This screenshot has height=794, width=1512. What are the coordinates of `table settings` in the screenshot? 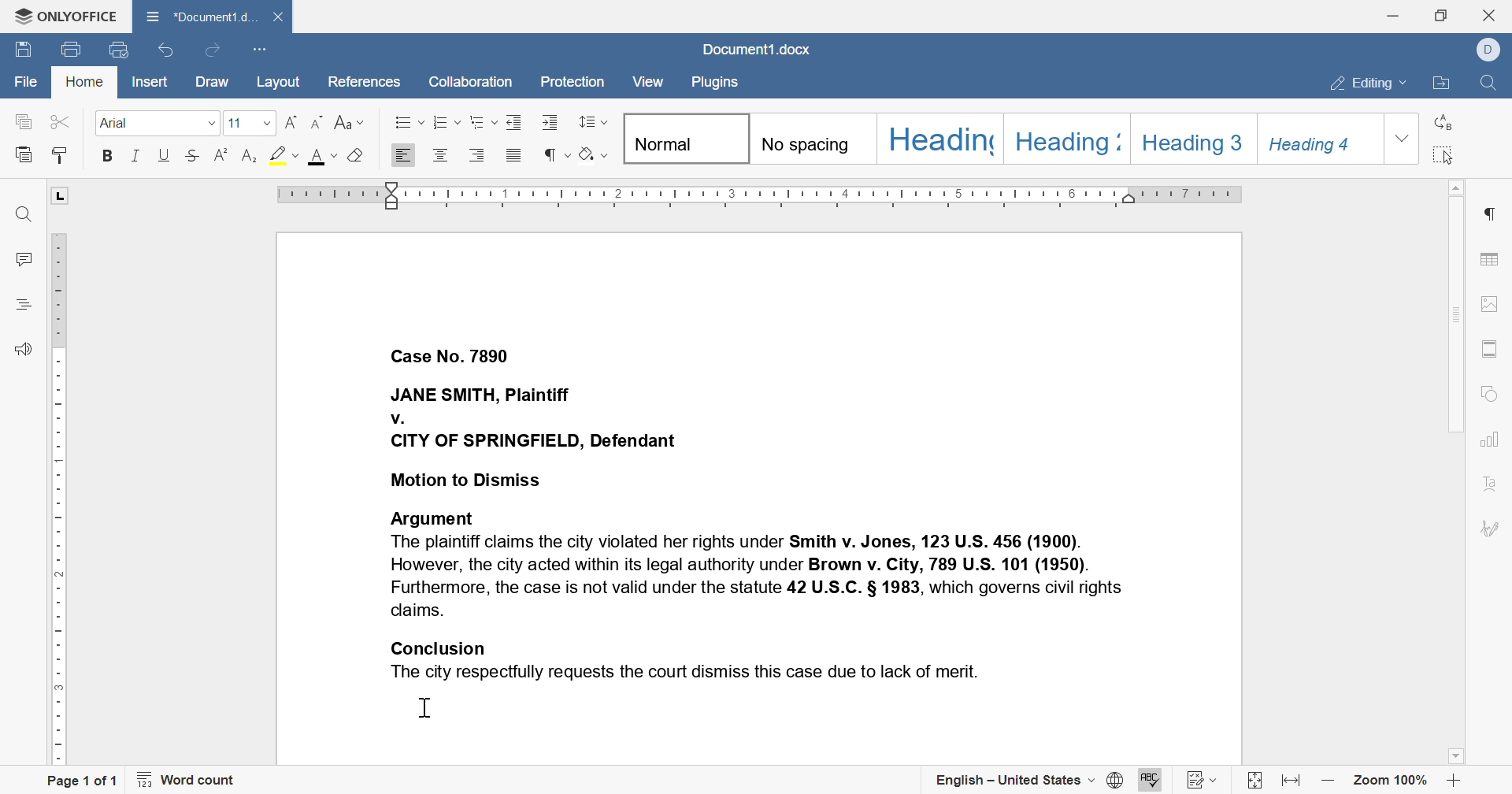 It's located at (1491, 260).